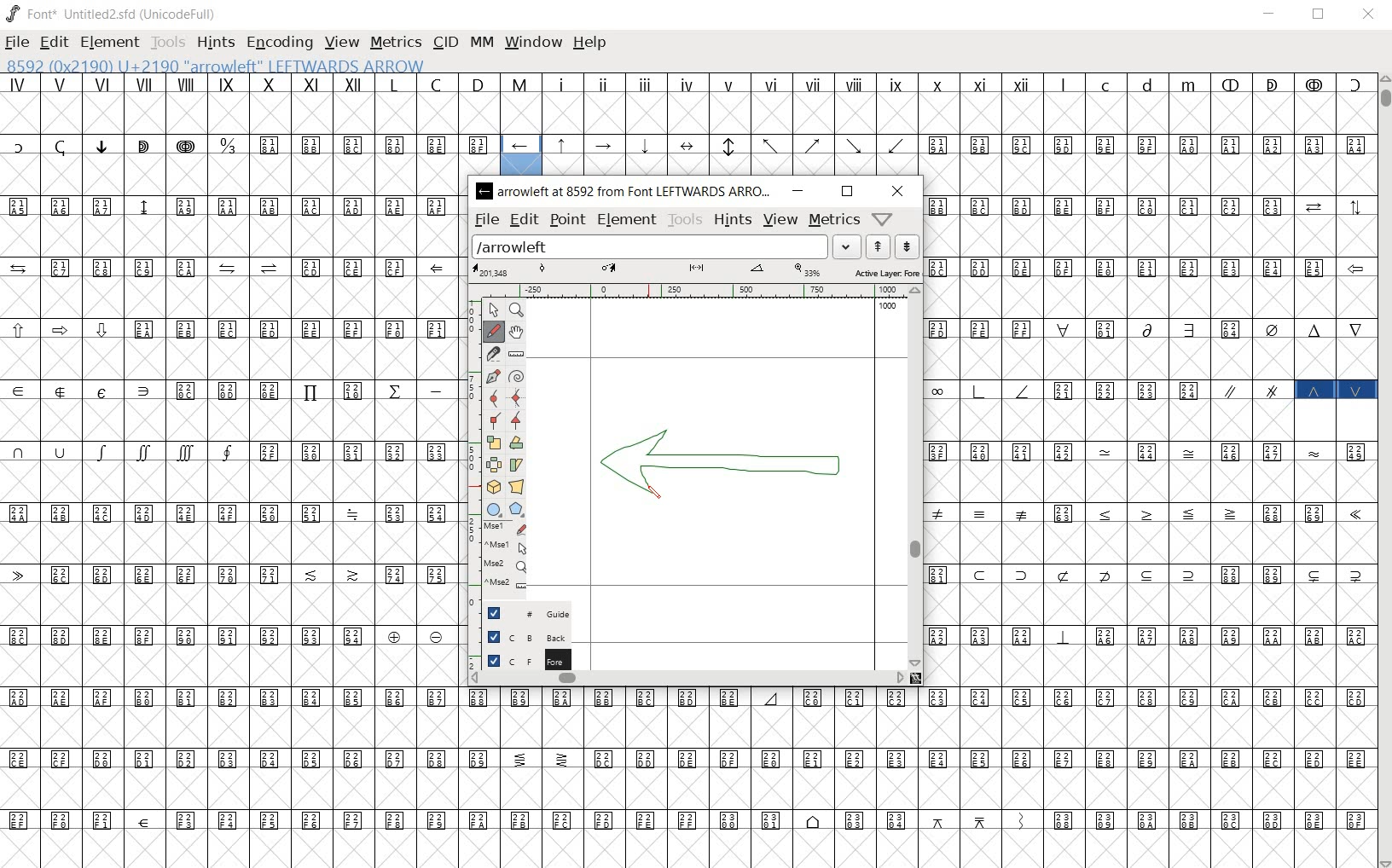 Image resolution: width=1392 pixels, height=868 pixels. I want to click on point, so click(565, 218).